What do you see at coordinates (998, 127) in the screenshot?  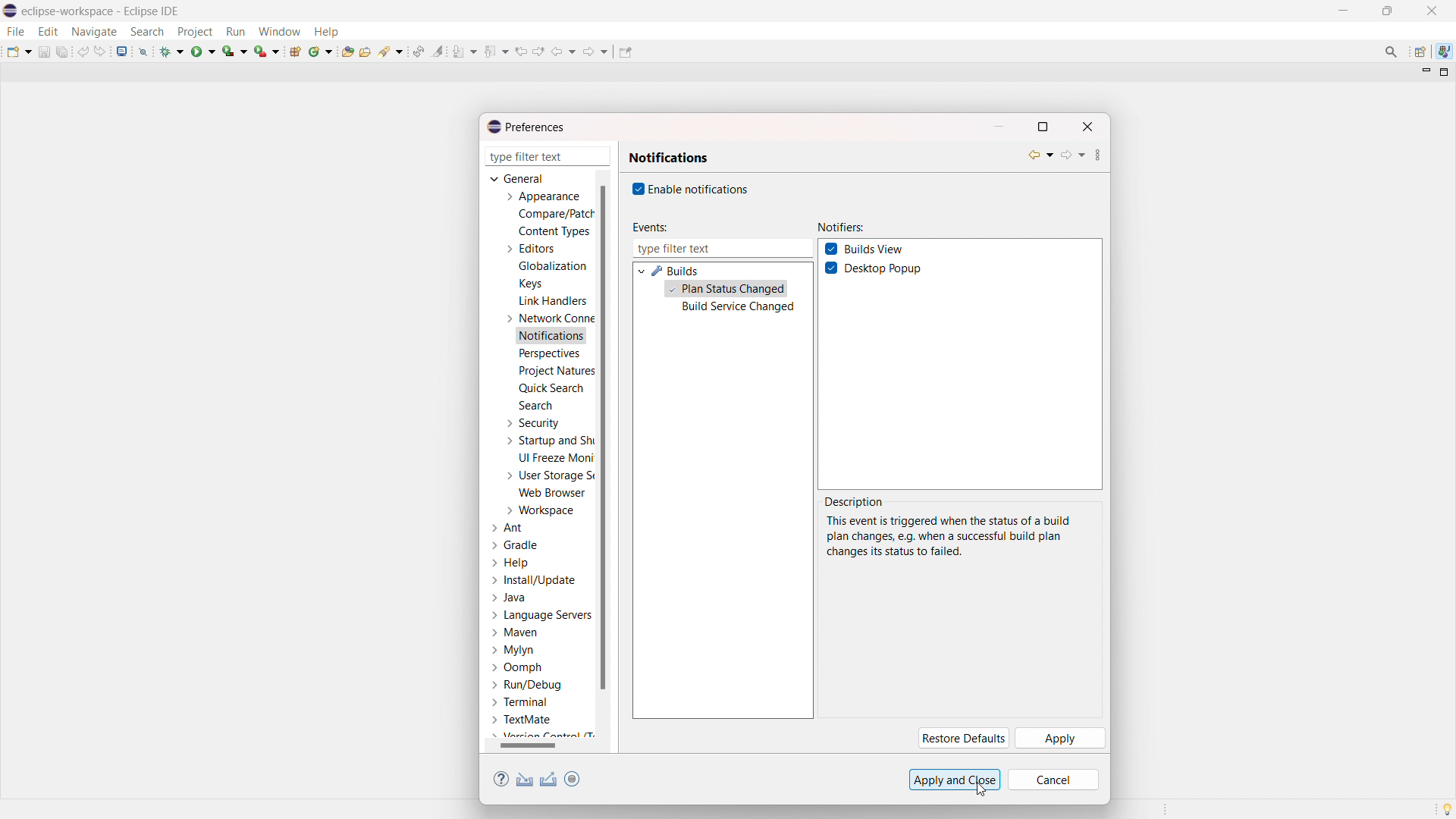 I see `minimize dialogbox` at bounding box center [998, 127].